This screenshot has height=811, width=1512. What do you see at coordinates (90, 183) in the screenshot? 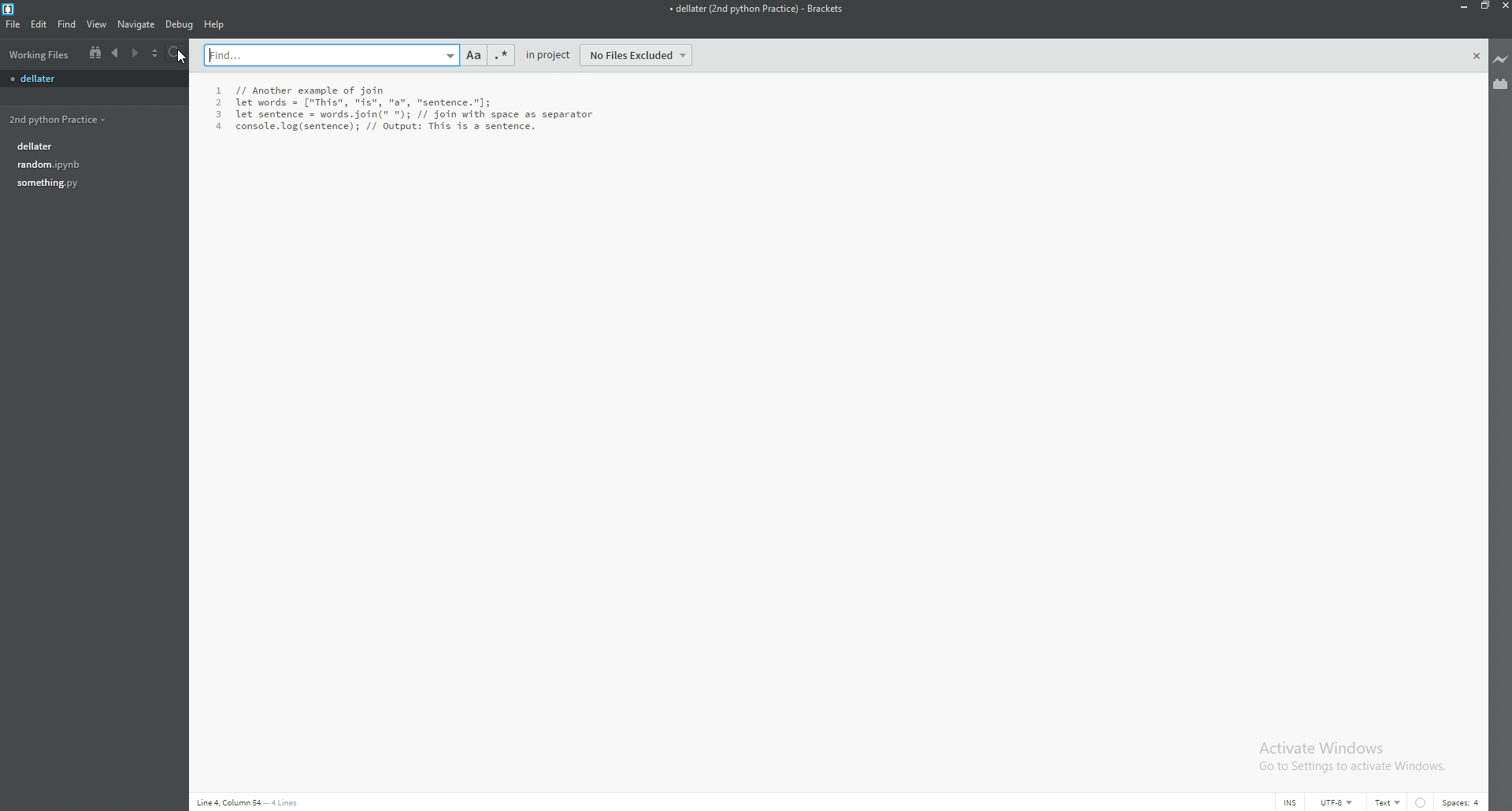
I see `something.py` at bounding box center [90, 183].